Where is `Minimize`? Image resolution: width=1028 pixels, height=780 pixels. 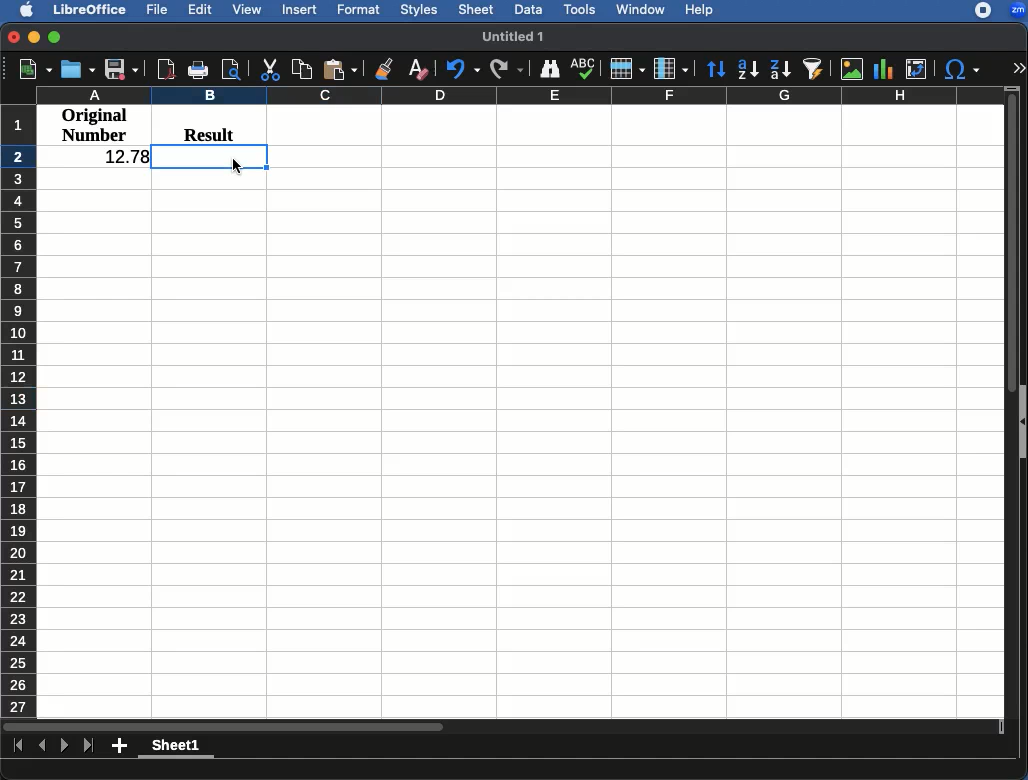 Minimize is located at coordinates (35, 39).